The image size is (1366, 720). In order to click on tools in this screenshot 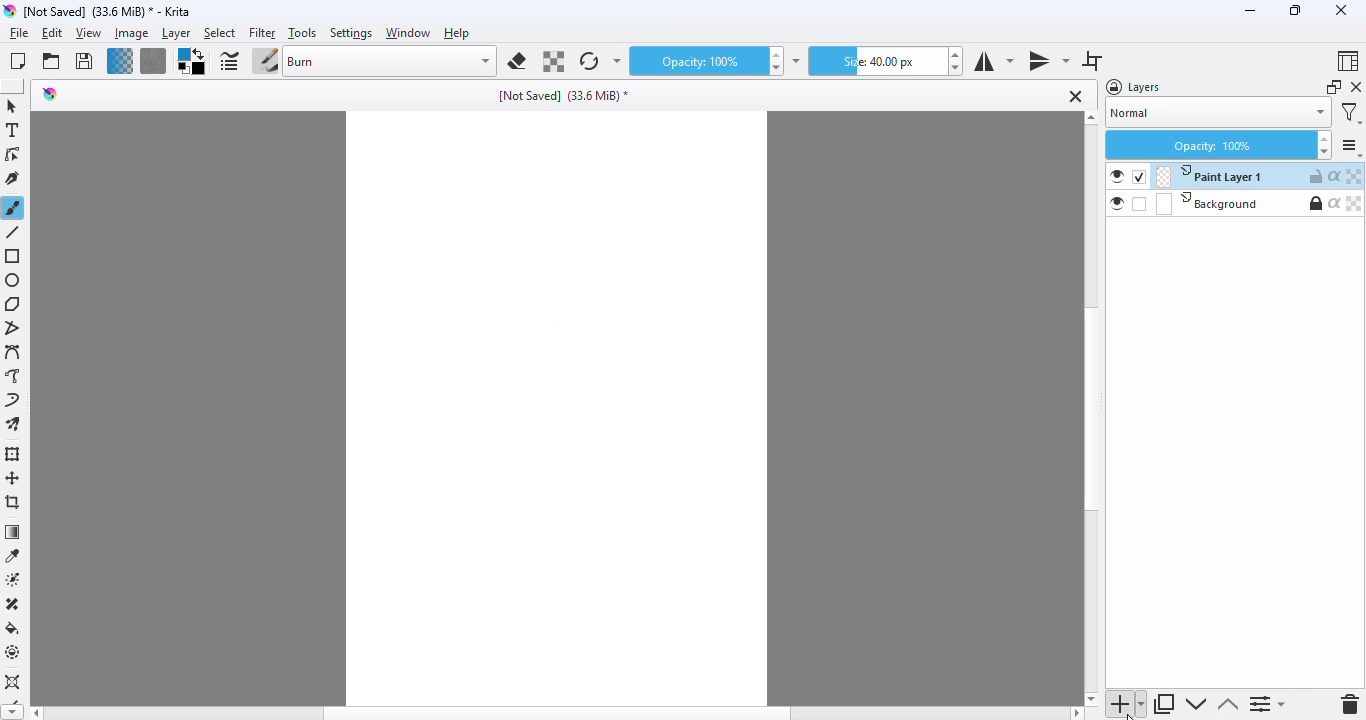, I will do `click(301, 33)`.